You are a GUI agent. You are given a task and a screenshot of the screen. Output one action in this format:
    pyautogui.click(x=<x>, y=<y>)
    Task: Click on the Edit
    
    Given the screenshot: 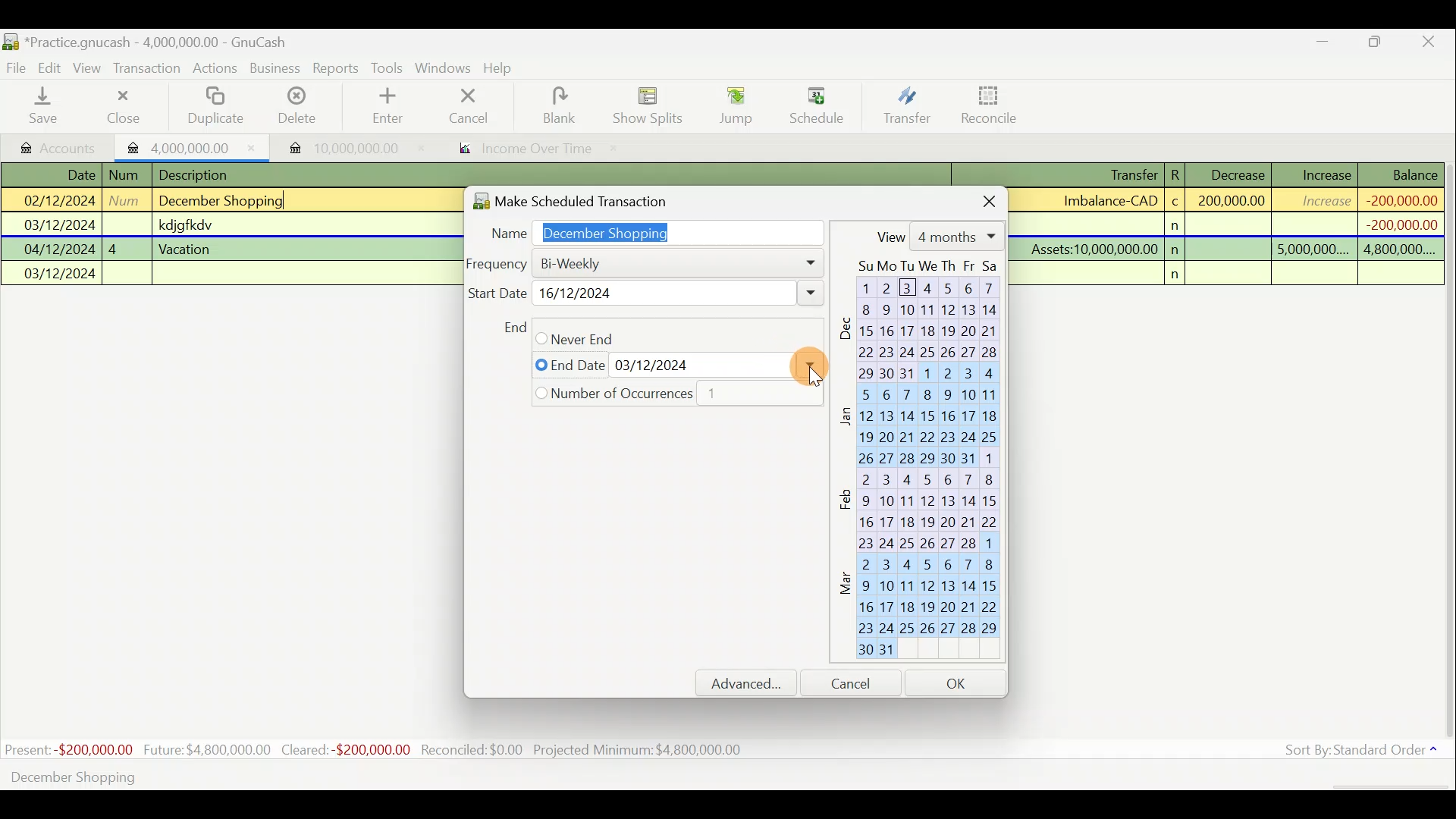 What is the action you would take?
    pyautogui.click(x=52, y=67)
    